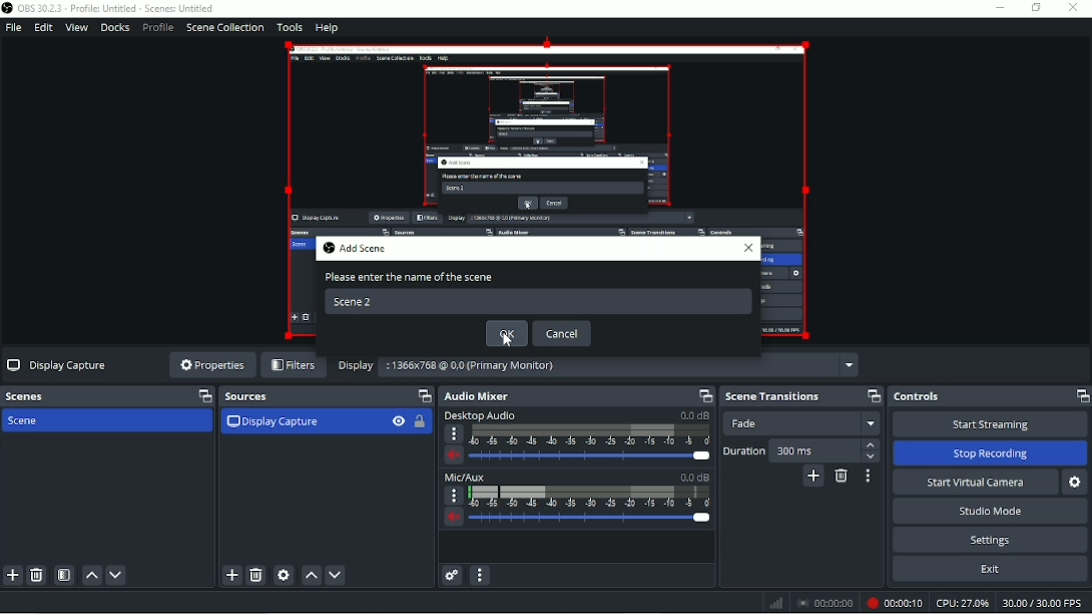  I want to click on Start streaming, so click(990, 424).